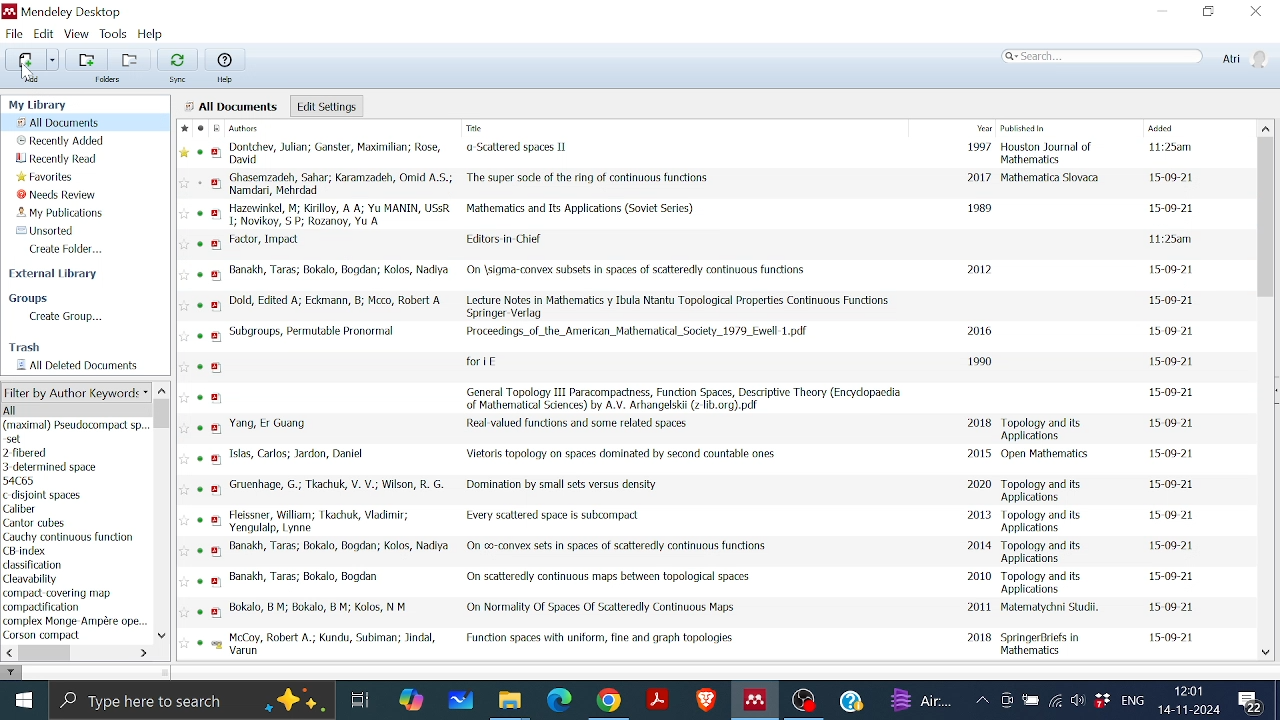 Image resolution: width=1280 pixels, height=720 pixels. What do you see at coordinates (1008, 699) in the screenshot?
I see `Meet now` at bounding box center [1008, 699].